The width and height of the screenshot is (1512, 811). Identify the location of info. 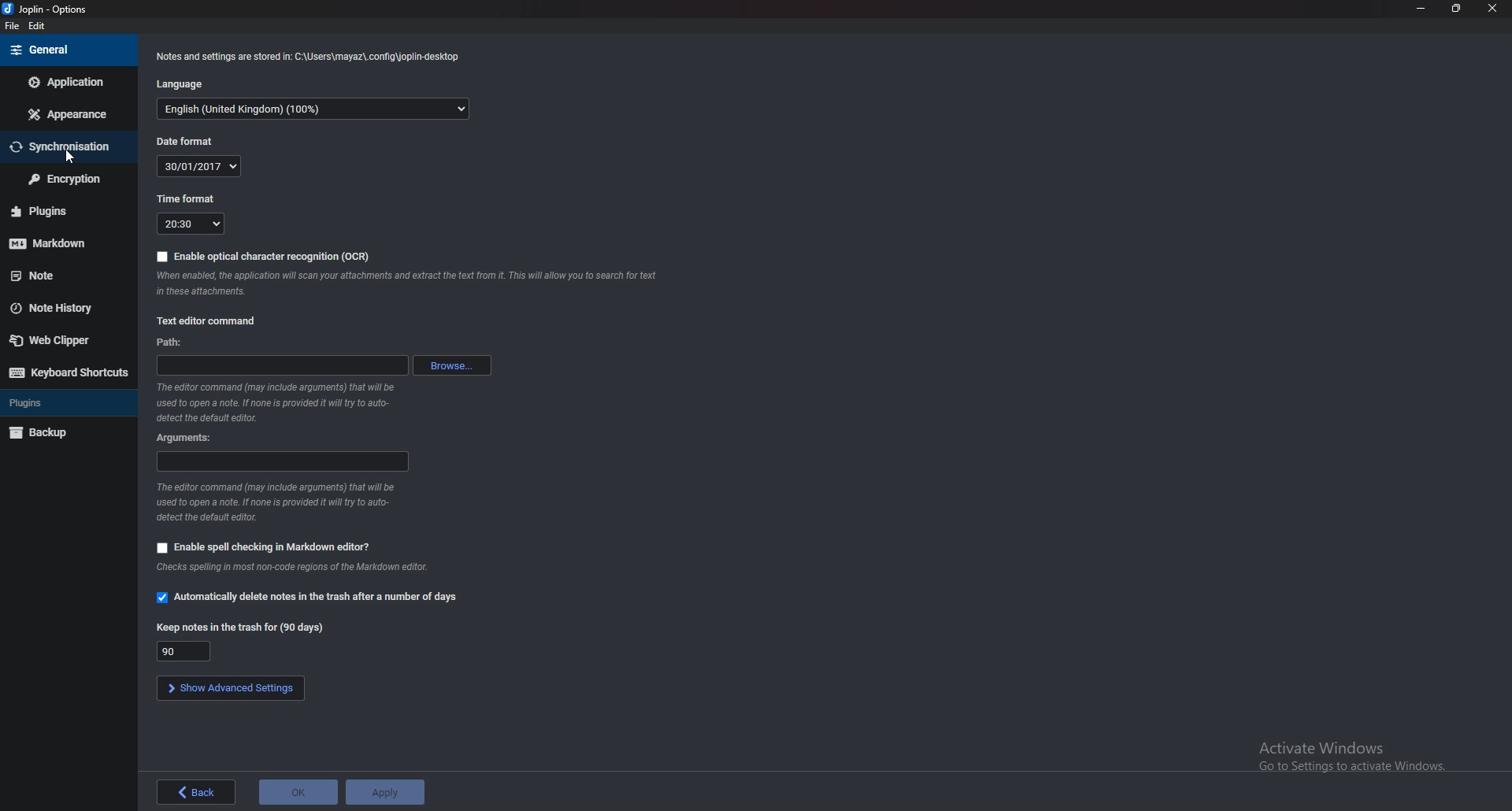
(288, 565).